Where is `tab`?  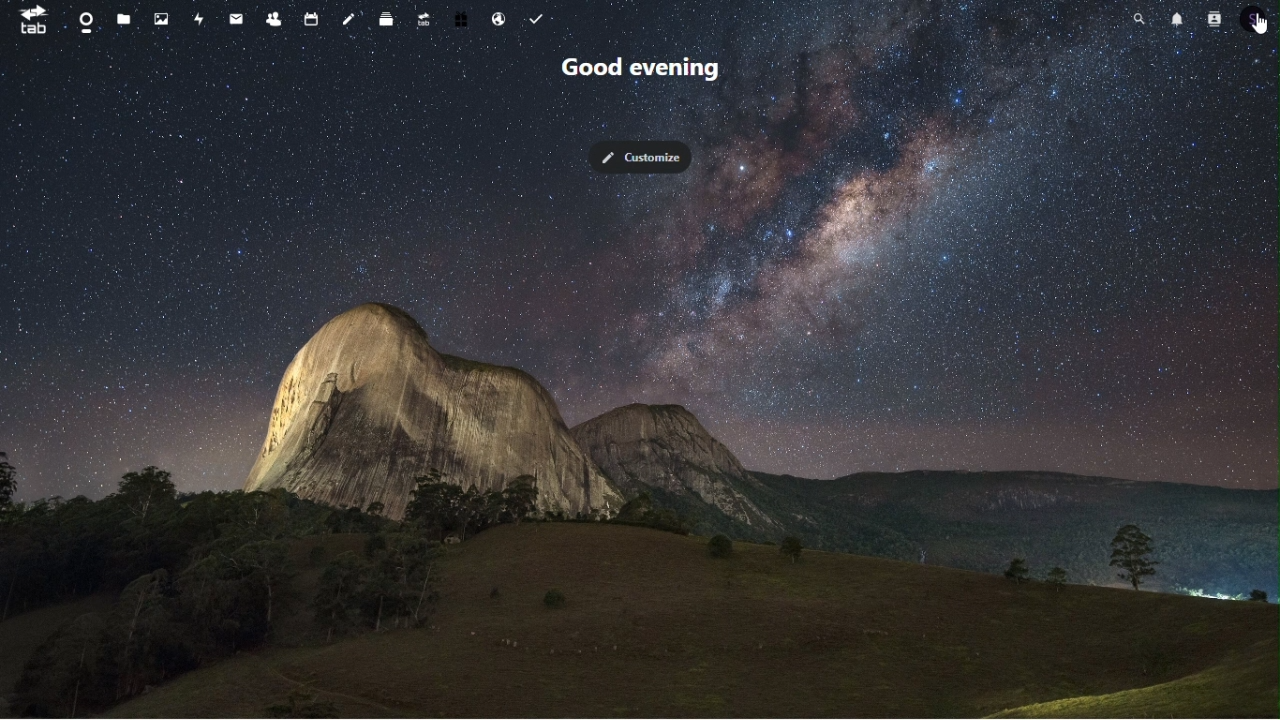
tab is located at coordinates (32, 20).